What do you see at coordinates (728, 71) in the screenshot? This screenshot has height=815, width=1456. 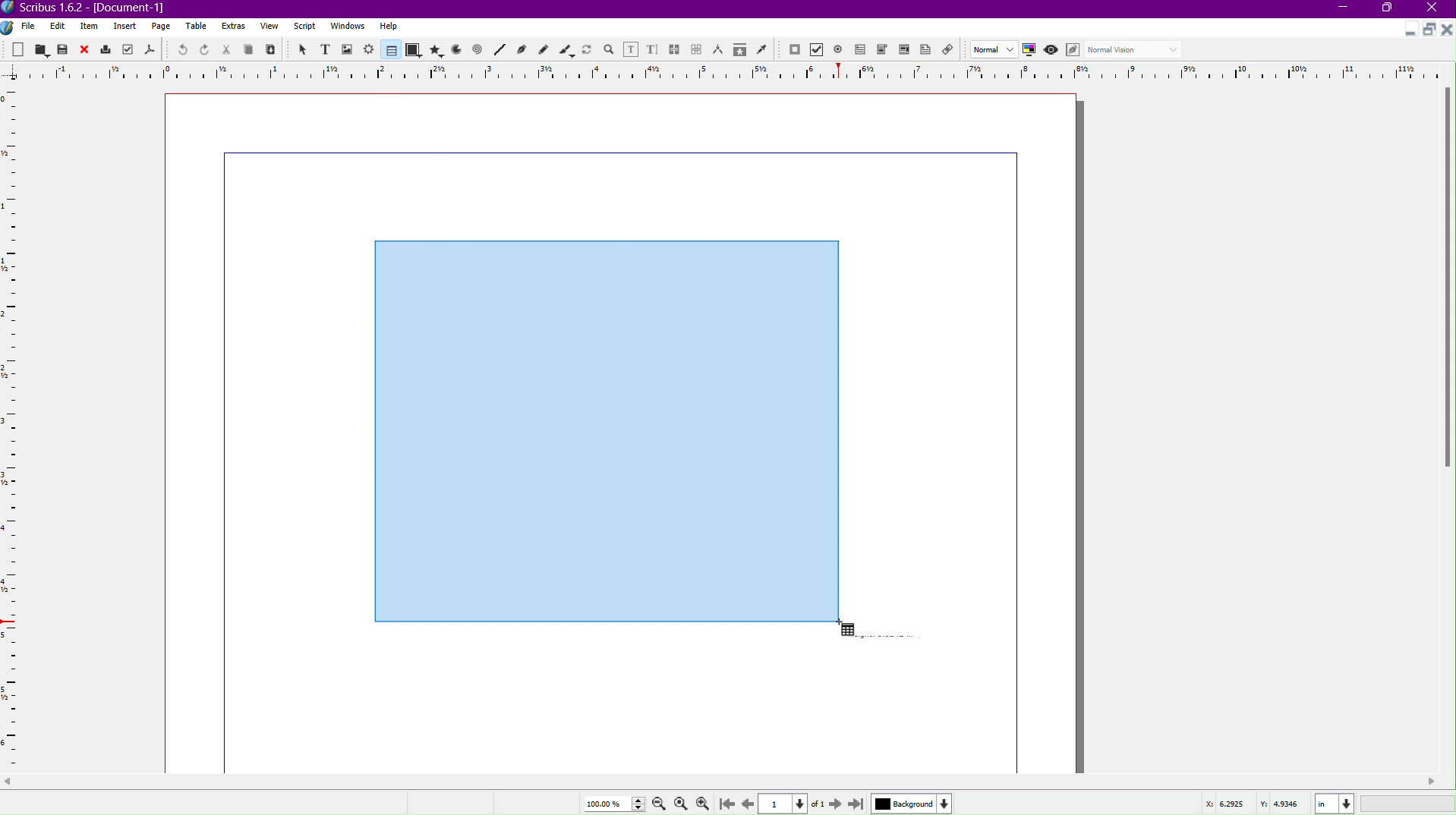 I see `Ruler Line` at bounding box center [728, 71].